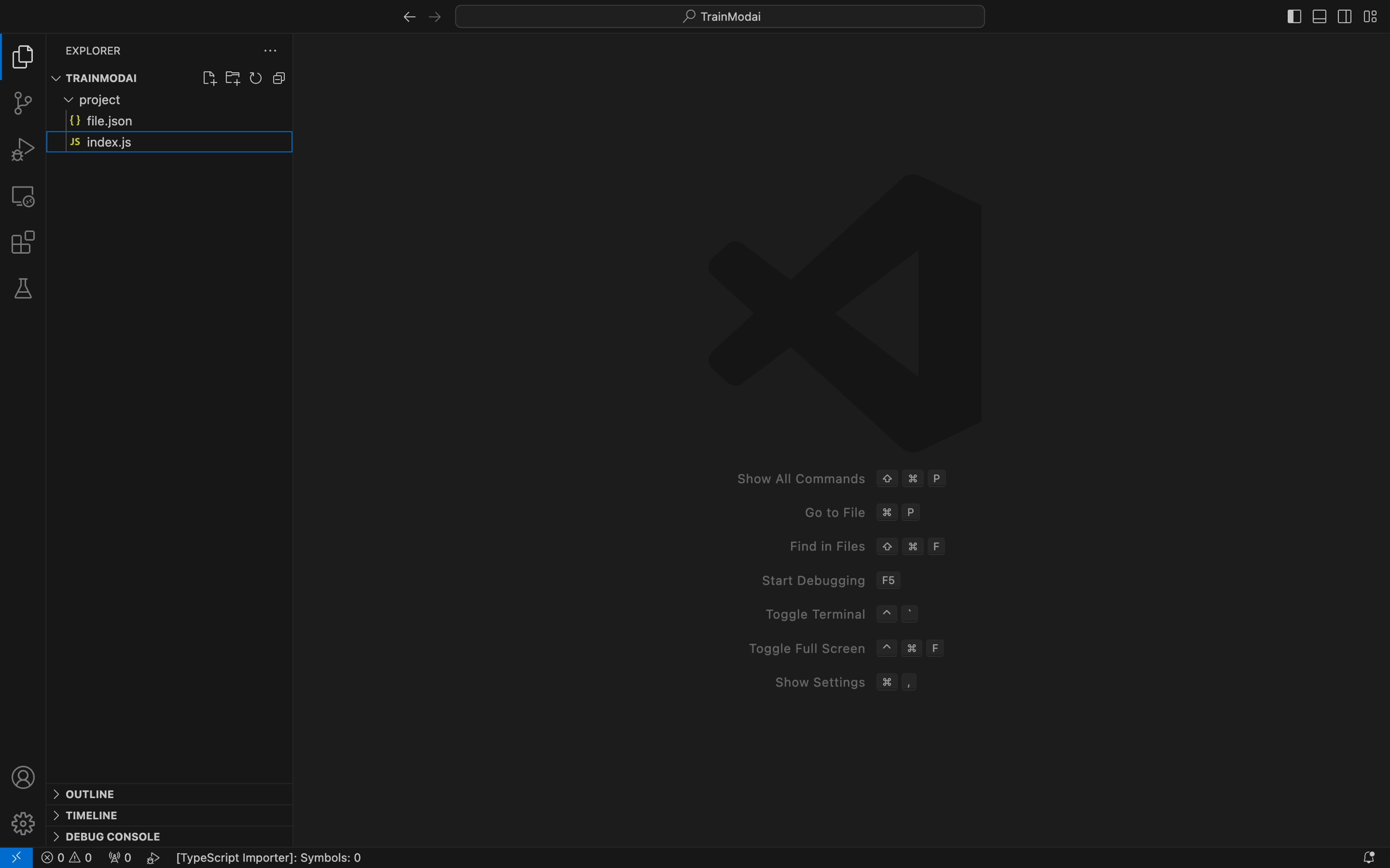  What do you see at coordinates (266, 50) in the screenshot?
I see `file explorer setting` at bounding box center [266, 50].